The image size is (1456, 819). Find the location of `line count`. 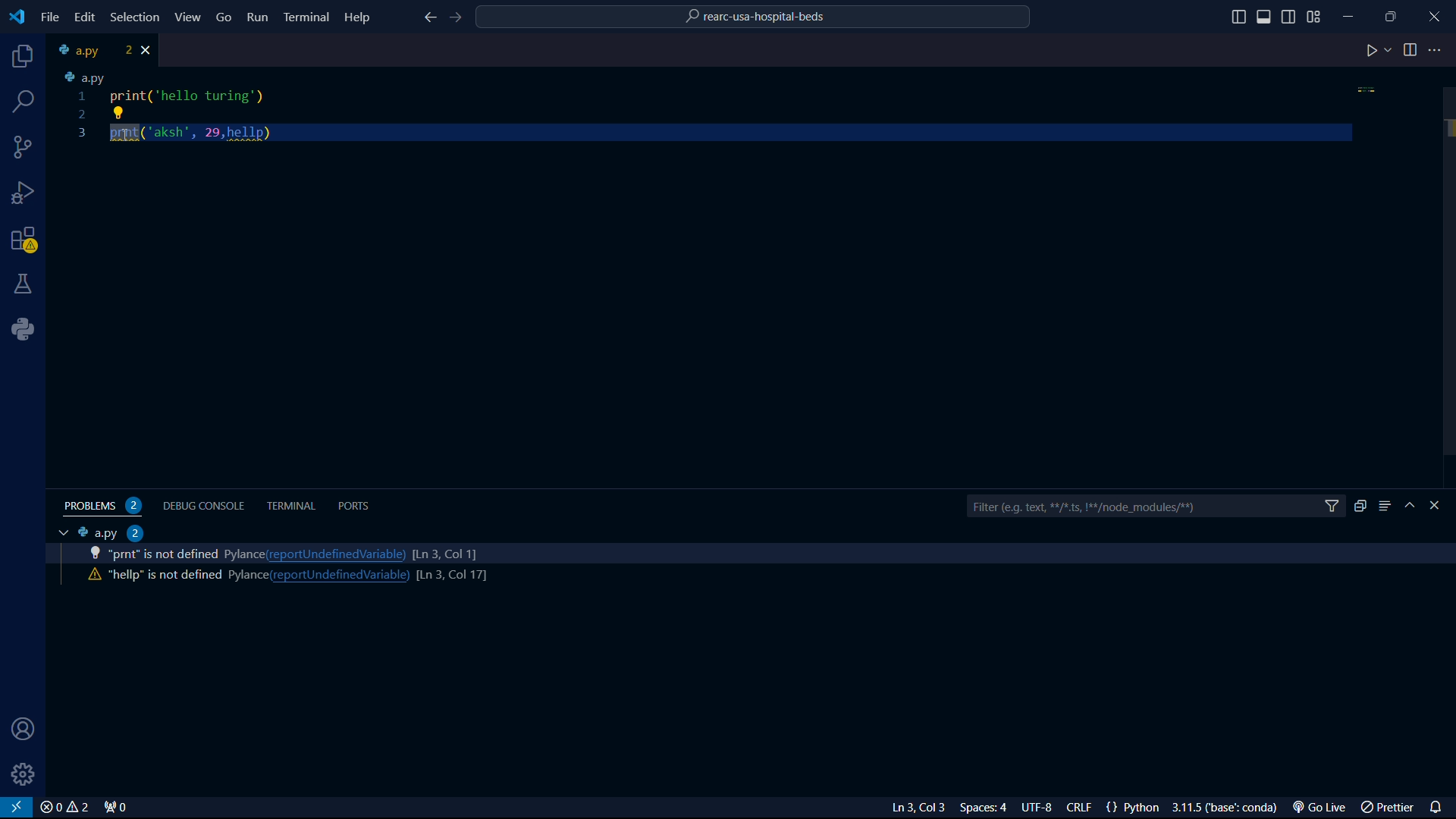

line count is located at coordinates (444, 552).